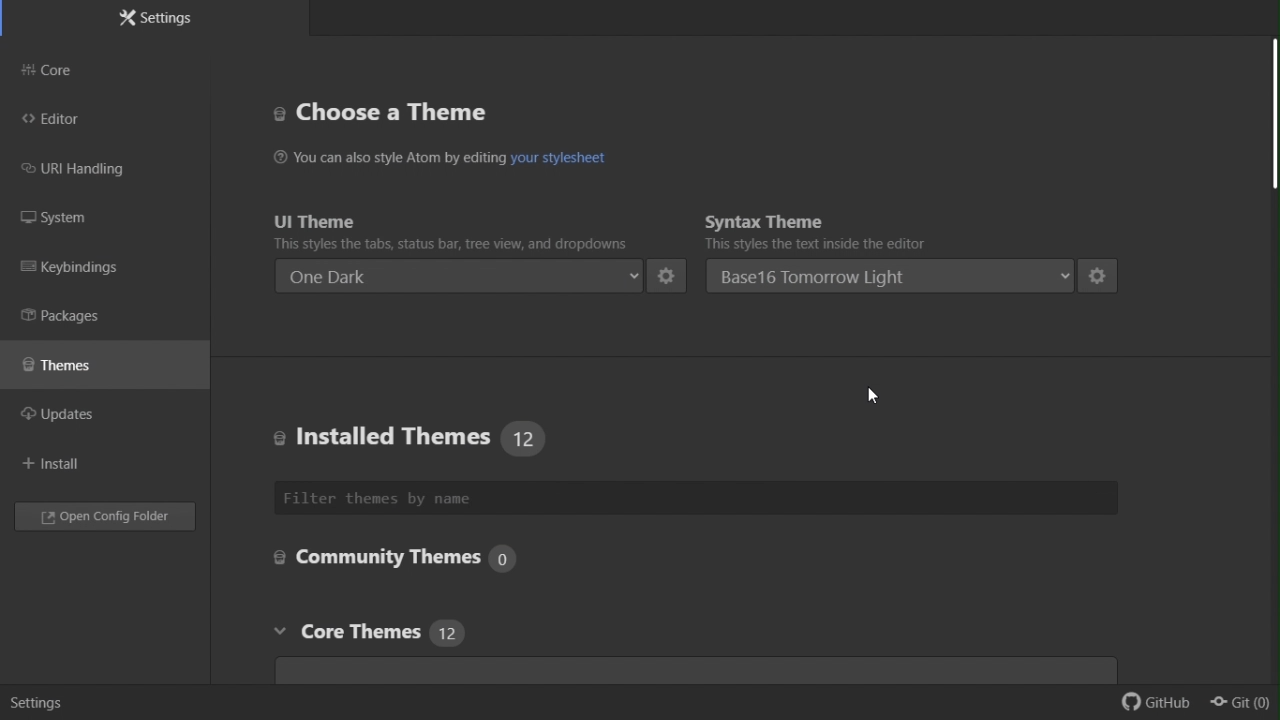 The image size is (1280, 720). Describe the element at coordinates (1271, 109) in the screenshot. I see `vertical scroll bar` at that location.